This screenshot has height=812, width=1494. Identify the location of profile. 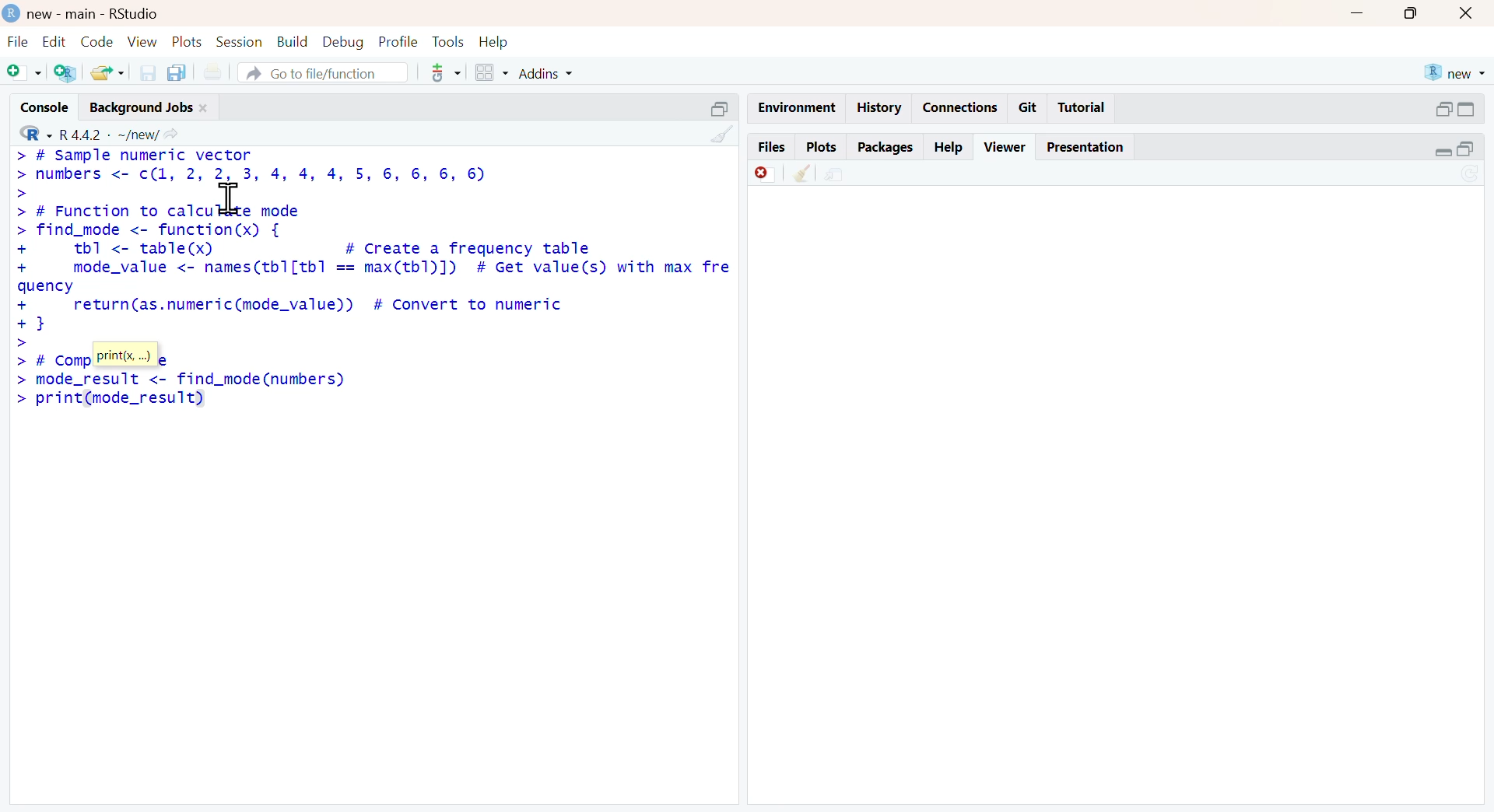
(400, 42).